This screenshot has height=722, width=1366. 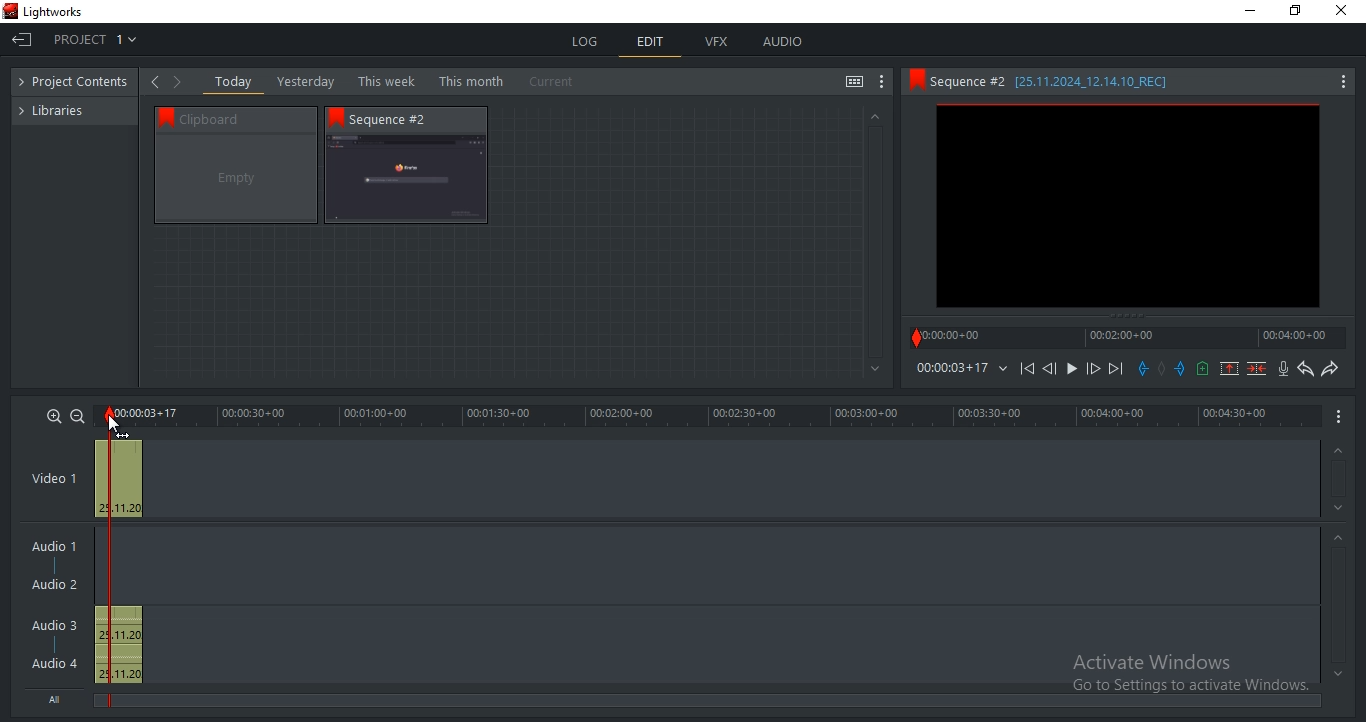 I want to click on video, so click(x=119, y=476).